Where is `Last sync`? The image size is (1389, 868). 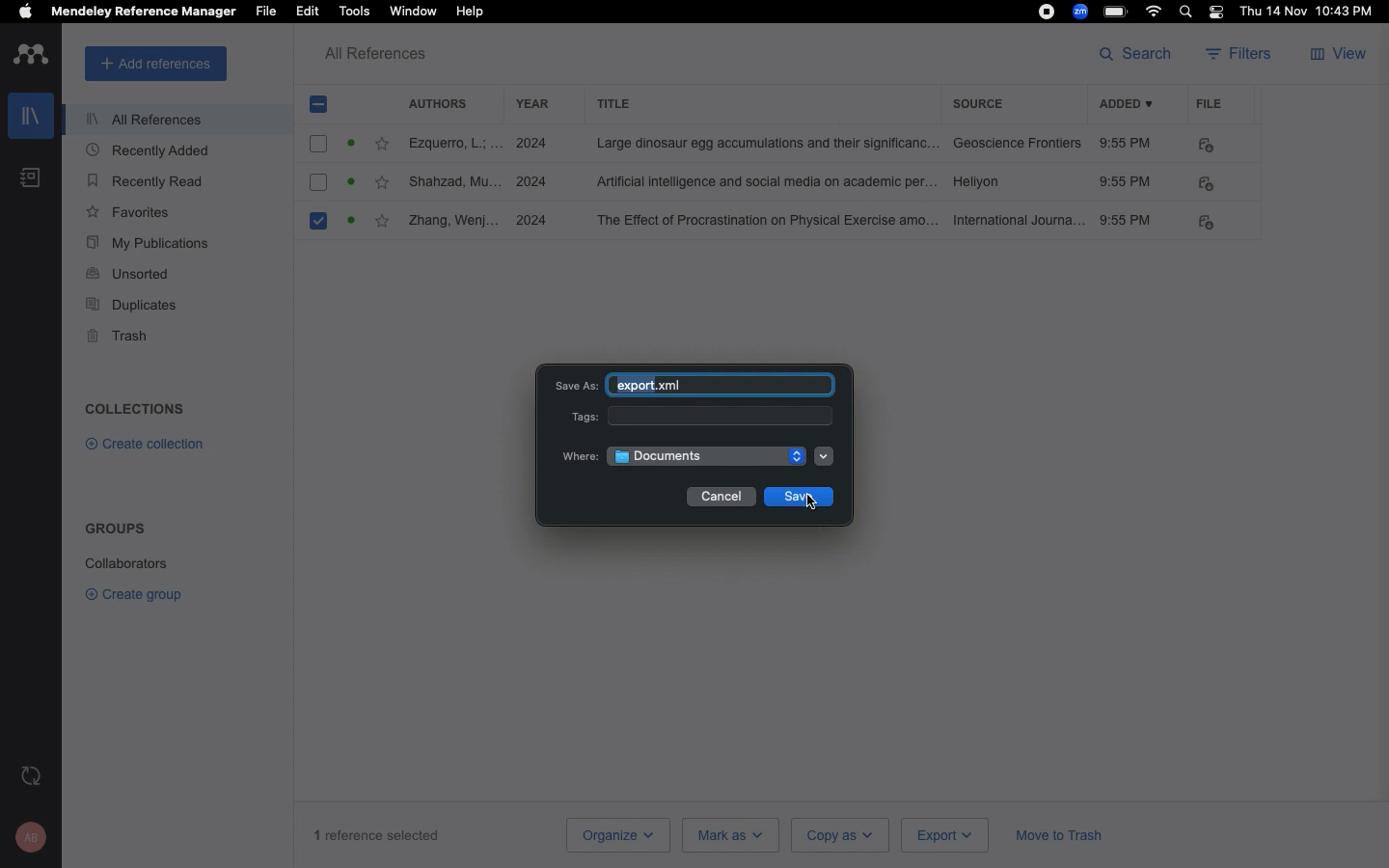 Last sync is located at coordinates (34, 775).